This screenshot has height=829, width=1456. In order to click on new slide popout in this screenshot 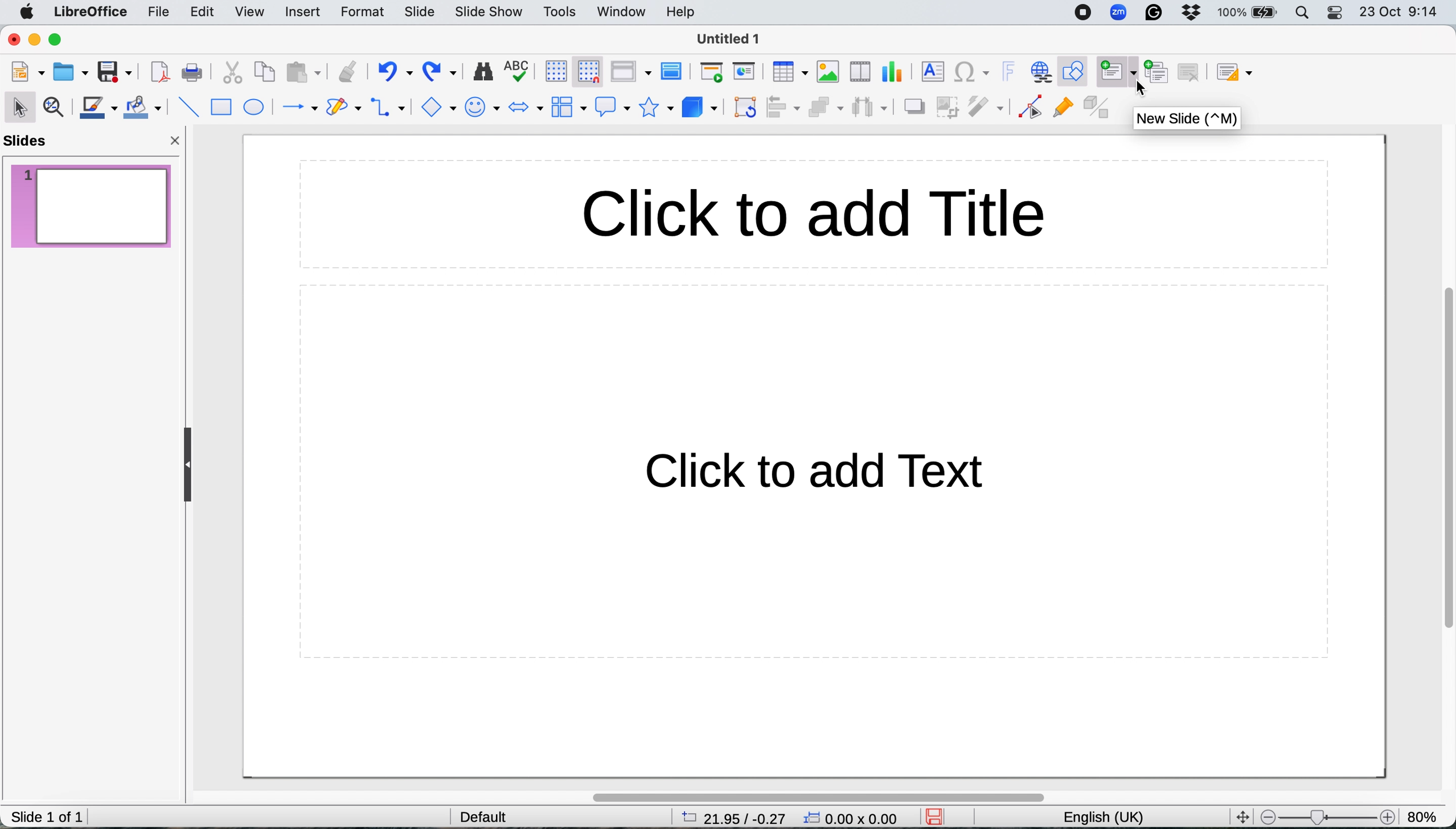, I will do `click(1187, 120)`.